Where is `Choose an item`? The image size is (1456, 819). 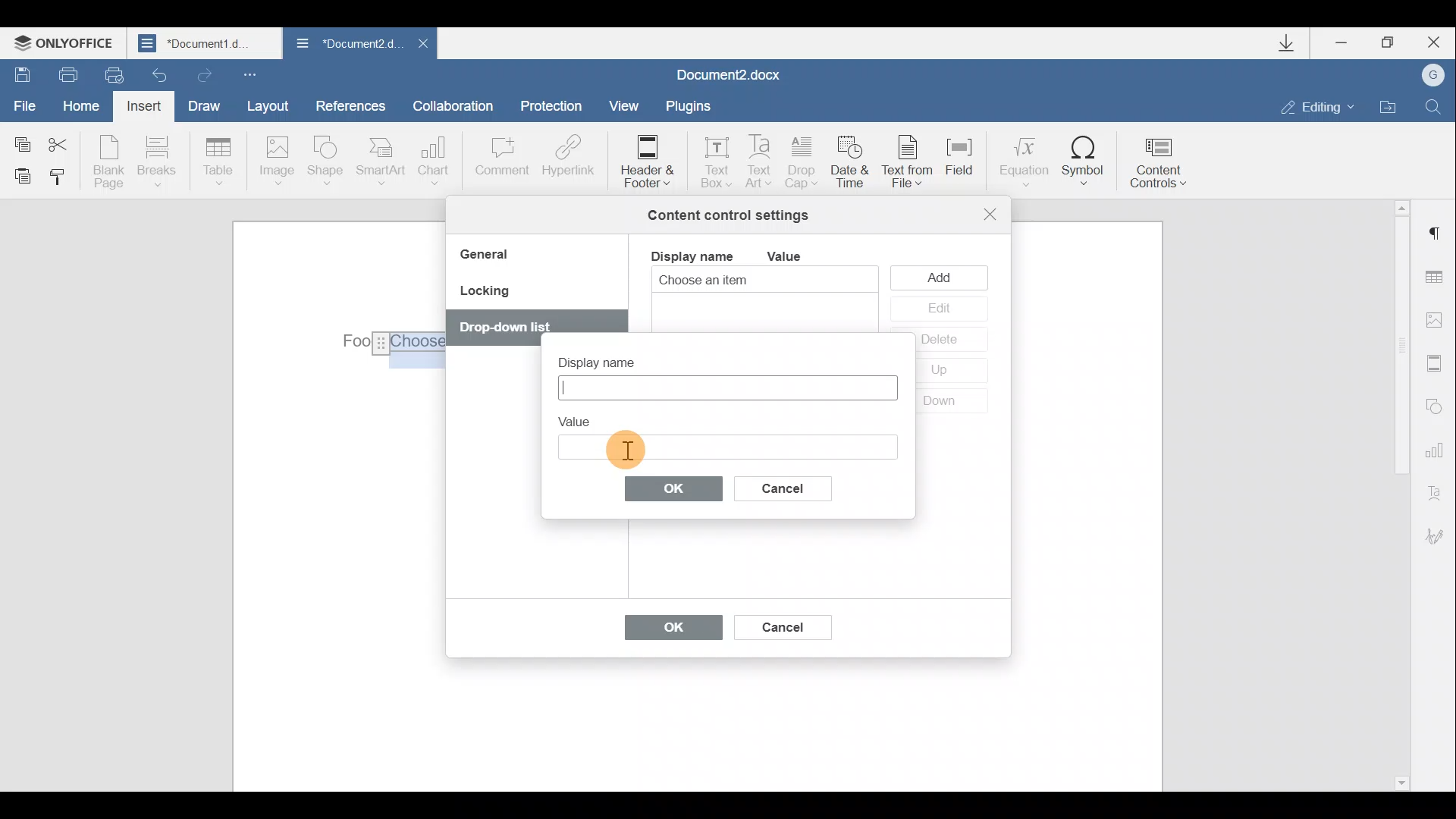 Choose an item is located at coordinates (740, 281).